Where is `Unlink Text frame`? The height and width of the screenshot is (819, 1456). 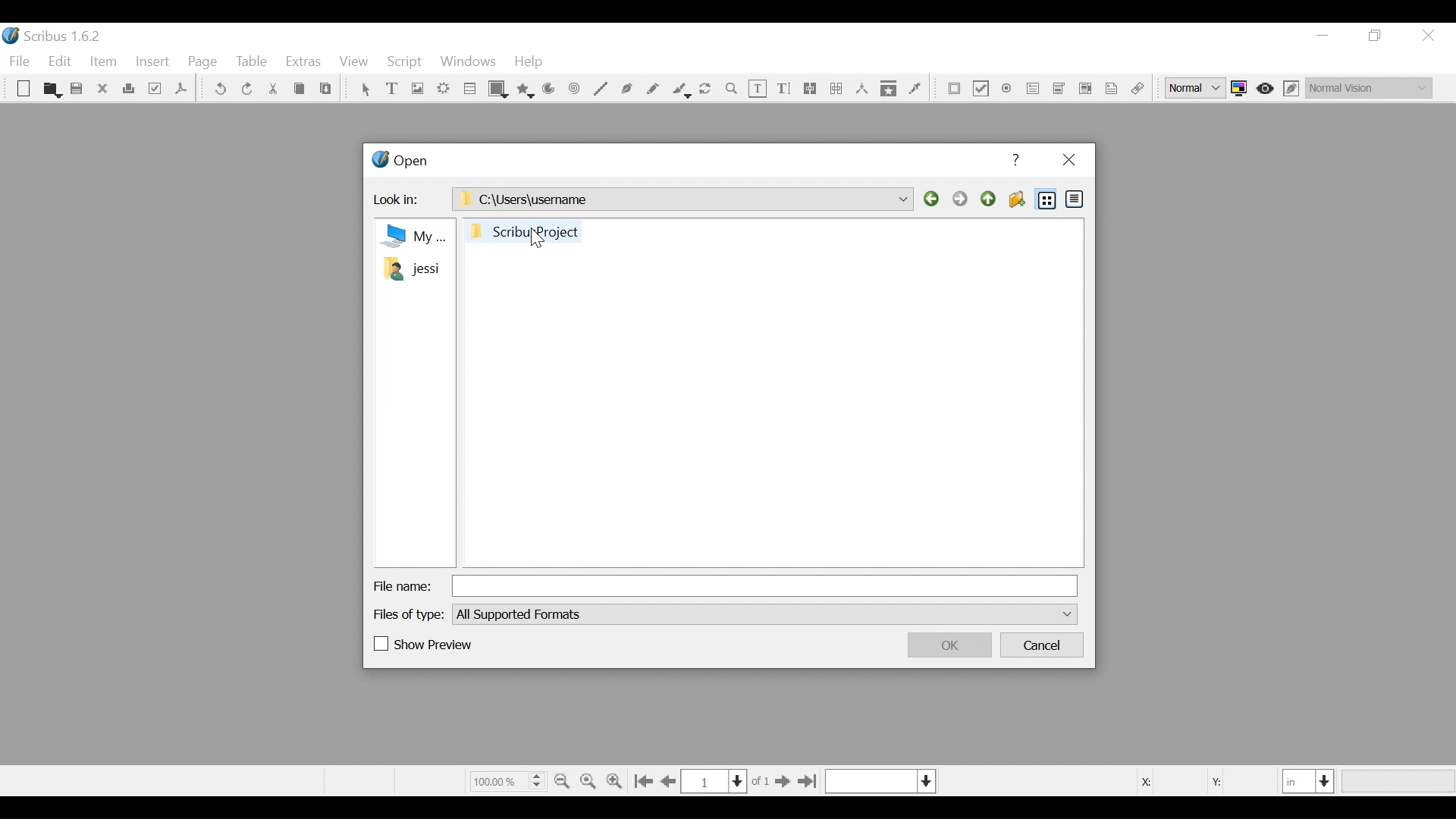
Unlink Text frame is located at coordinates (836, 89).